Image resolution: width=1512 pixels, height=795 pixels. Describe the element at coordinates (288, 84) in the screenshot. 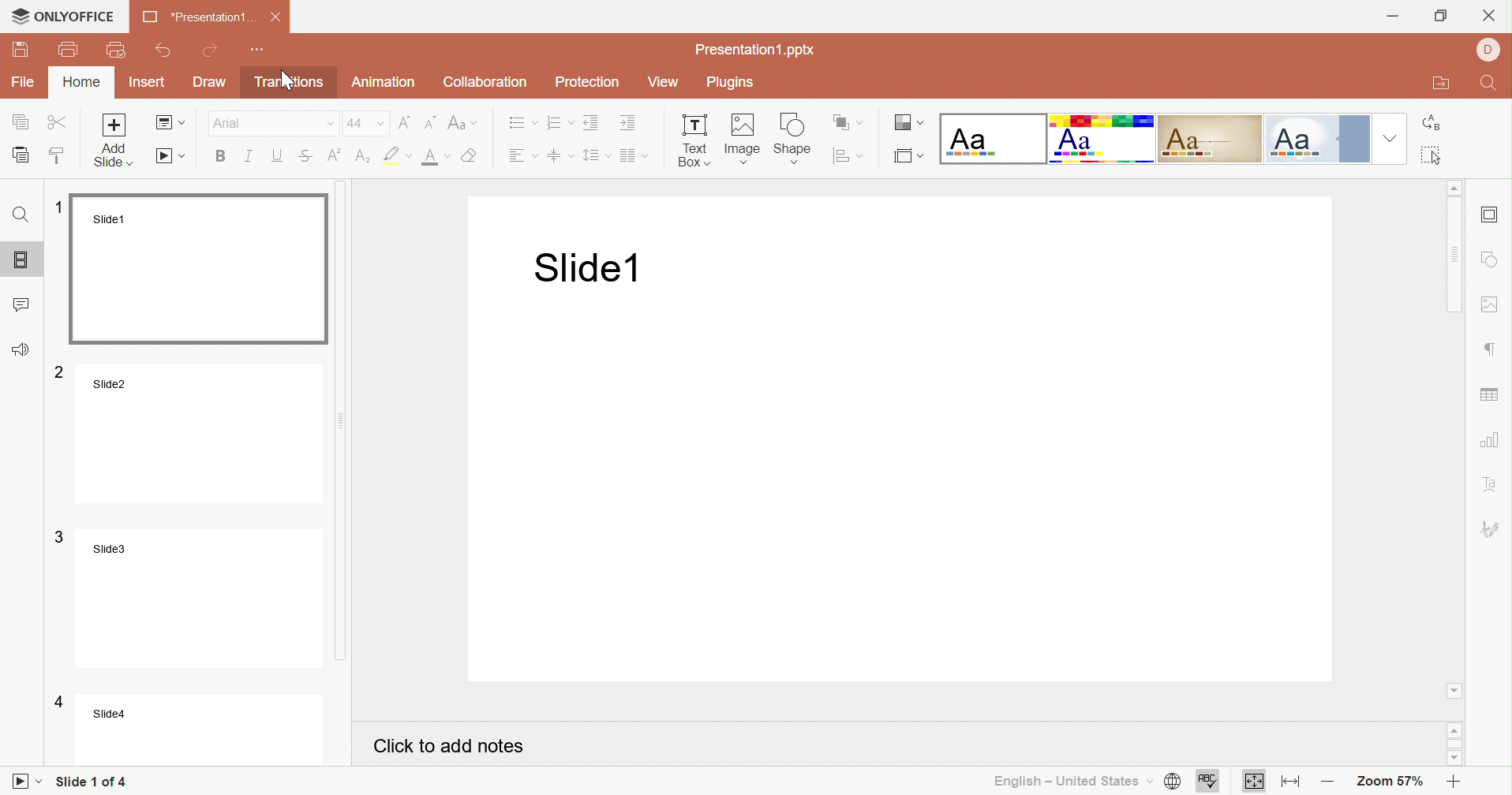

I see `Transitions` at that location.